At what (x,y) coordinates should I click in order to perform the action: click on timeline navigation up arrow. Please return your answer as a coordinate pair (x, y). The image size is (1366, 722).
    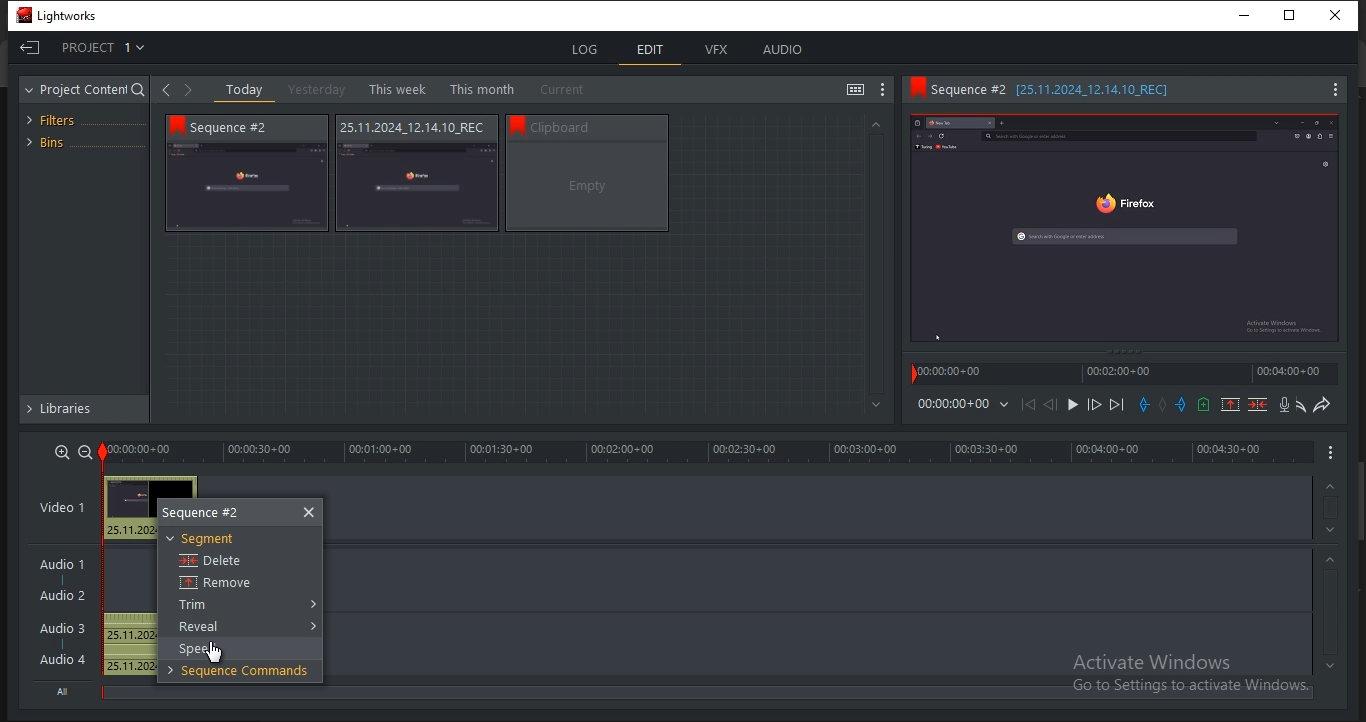
    Looking at the image, I should click on (1338, 665).